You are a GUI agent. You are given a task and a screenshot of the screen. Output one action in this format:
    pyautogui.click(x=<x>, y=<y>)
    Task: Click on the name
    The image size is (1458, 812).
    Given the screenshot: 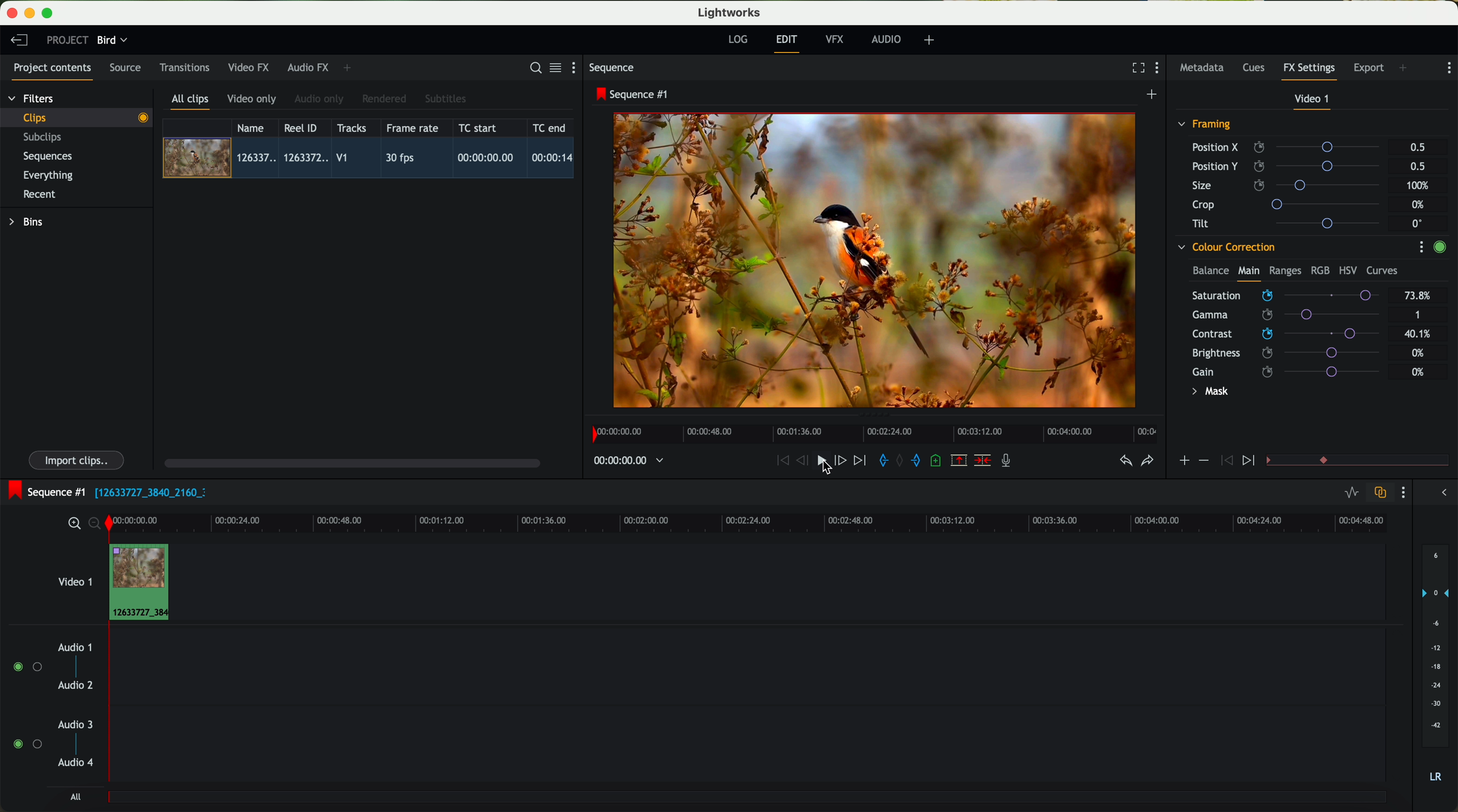 What is the action you would take?
    pyautogui.click(x=255, y=128)
    